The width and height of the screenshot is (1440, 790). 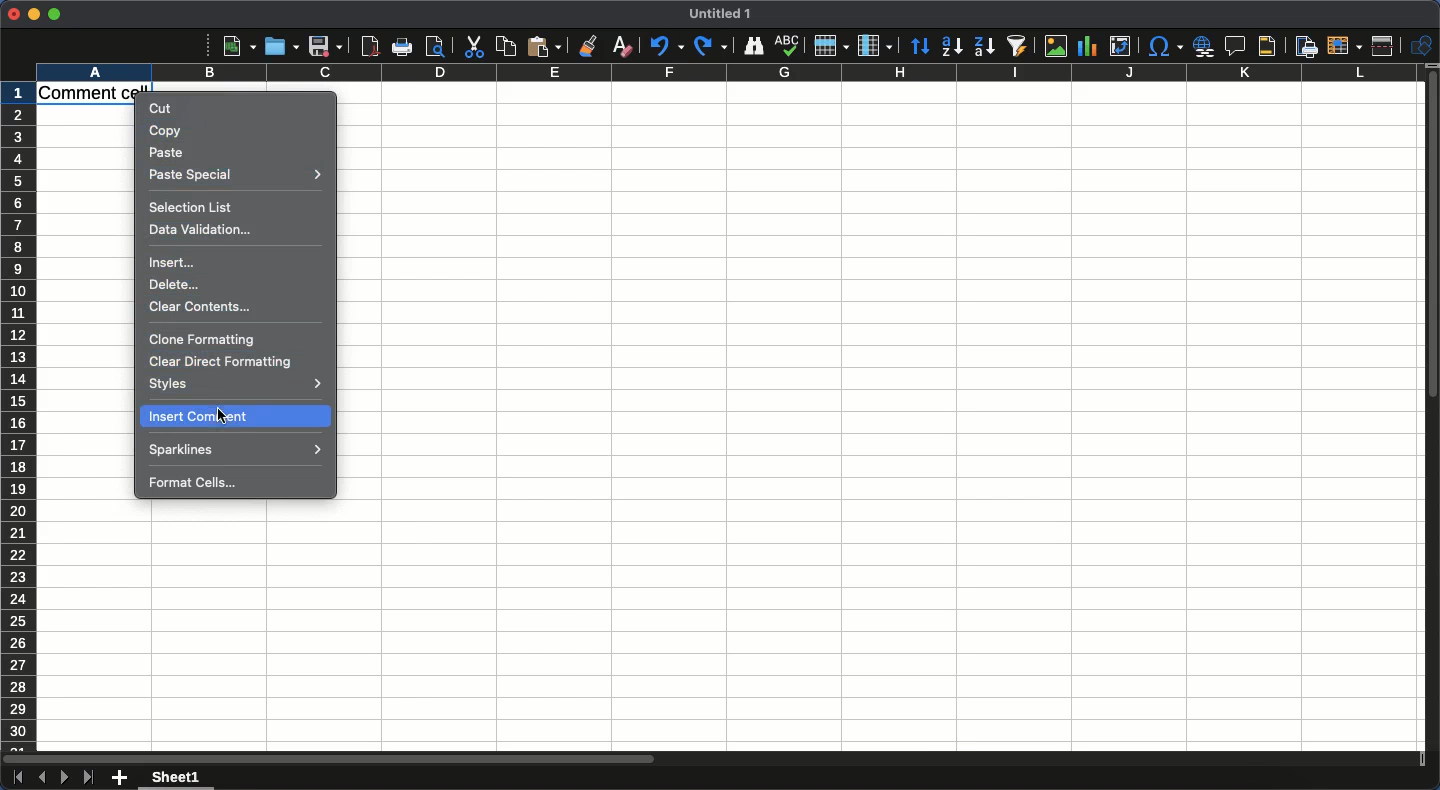 What do you see at coordinates (36, 15) in the screenshot?
I see `Minimize` at bounding box center [36, 15].